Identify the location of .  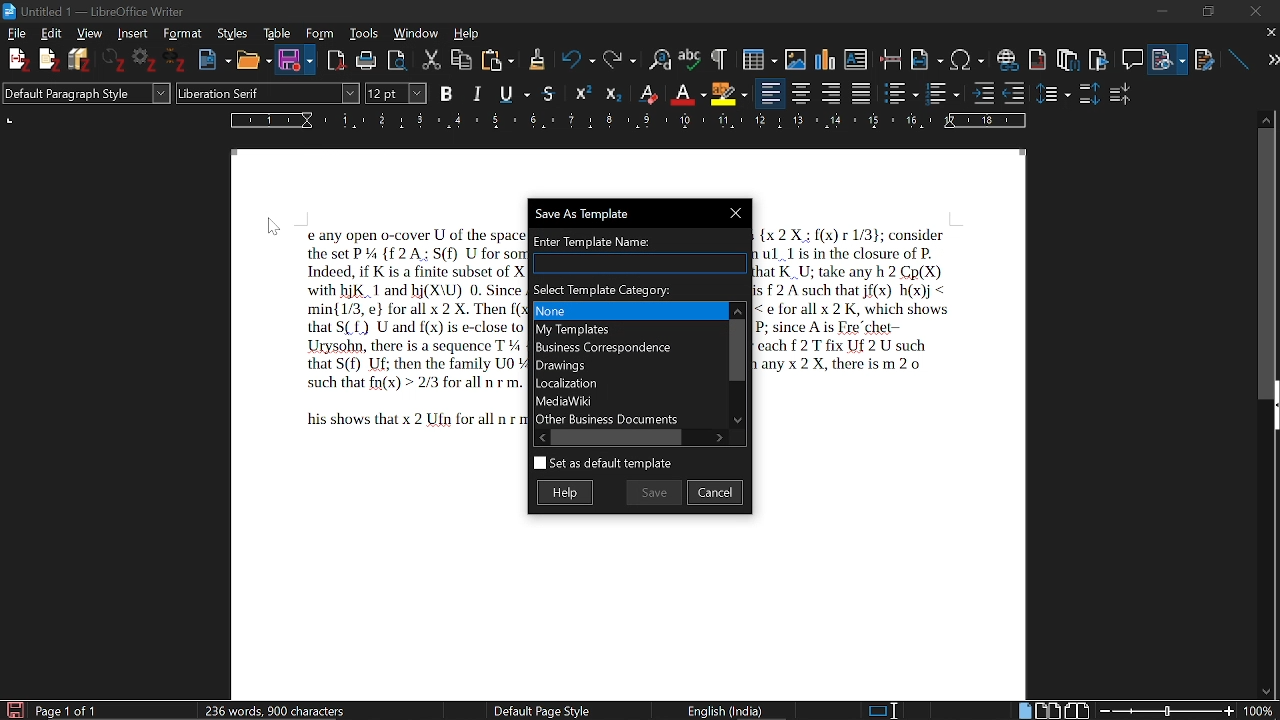
(585, 92).